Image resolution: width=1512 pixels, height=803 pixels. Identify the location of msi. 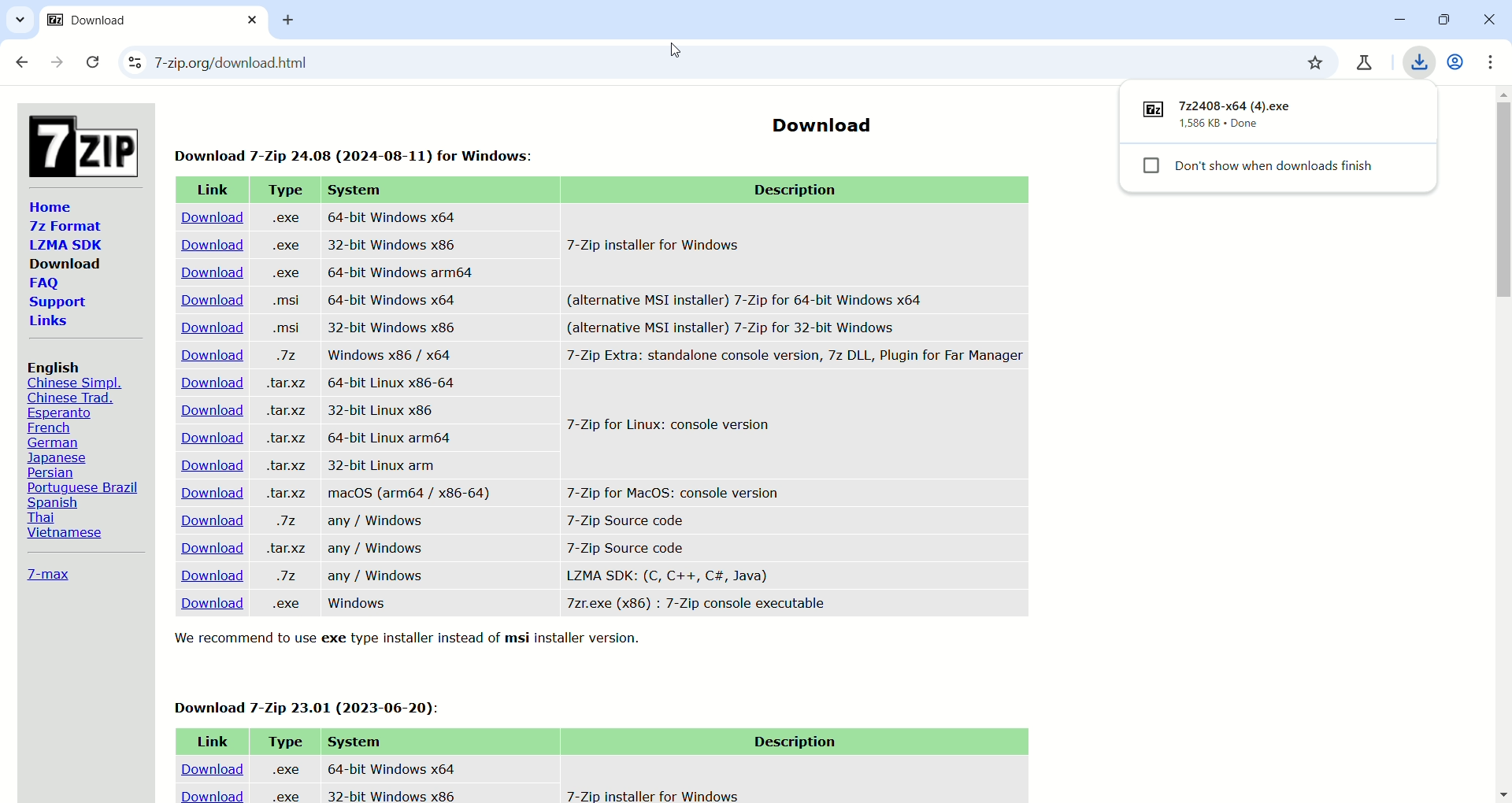
(282, 327).